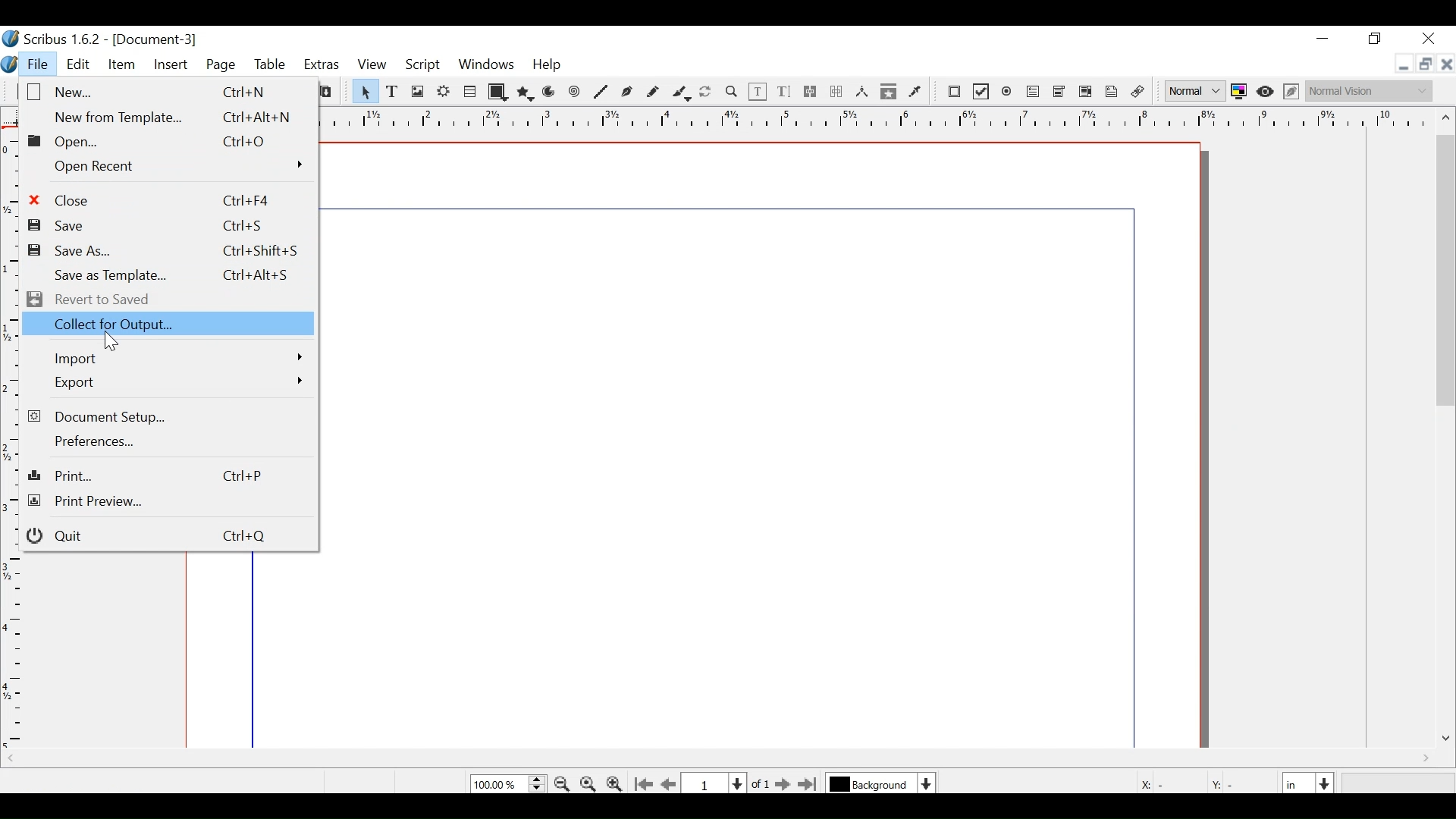  What do you see at coordinates (222, 67) in the screenshot?
I see `Page` at bounding box center [222, 67].